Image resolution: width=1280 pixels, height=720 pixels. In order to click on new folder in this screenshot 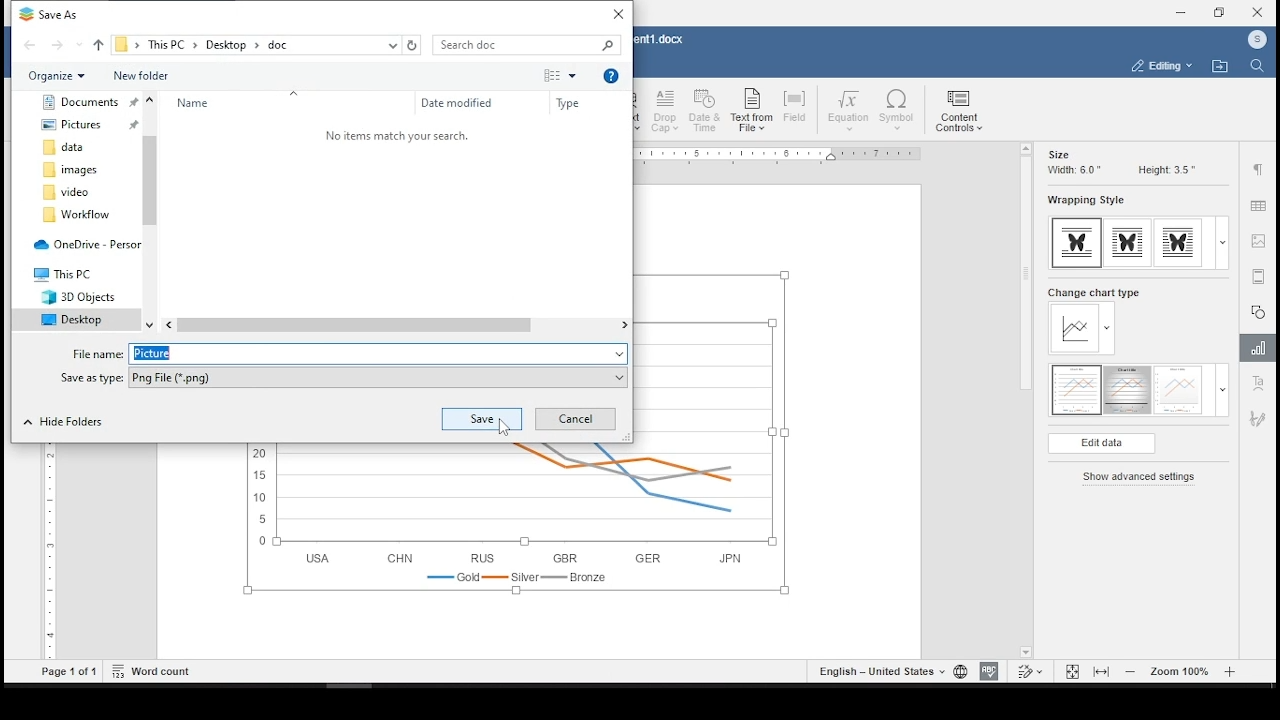, I will do `click(141, 74)`.